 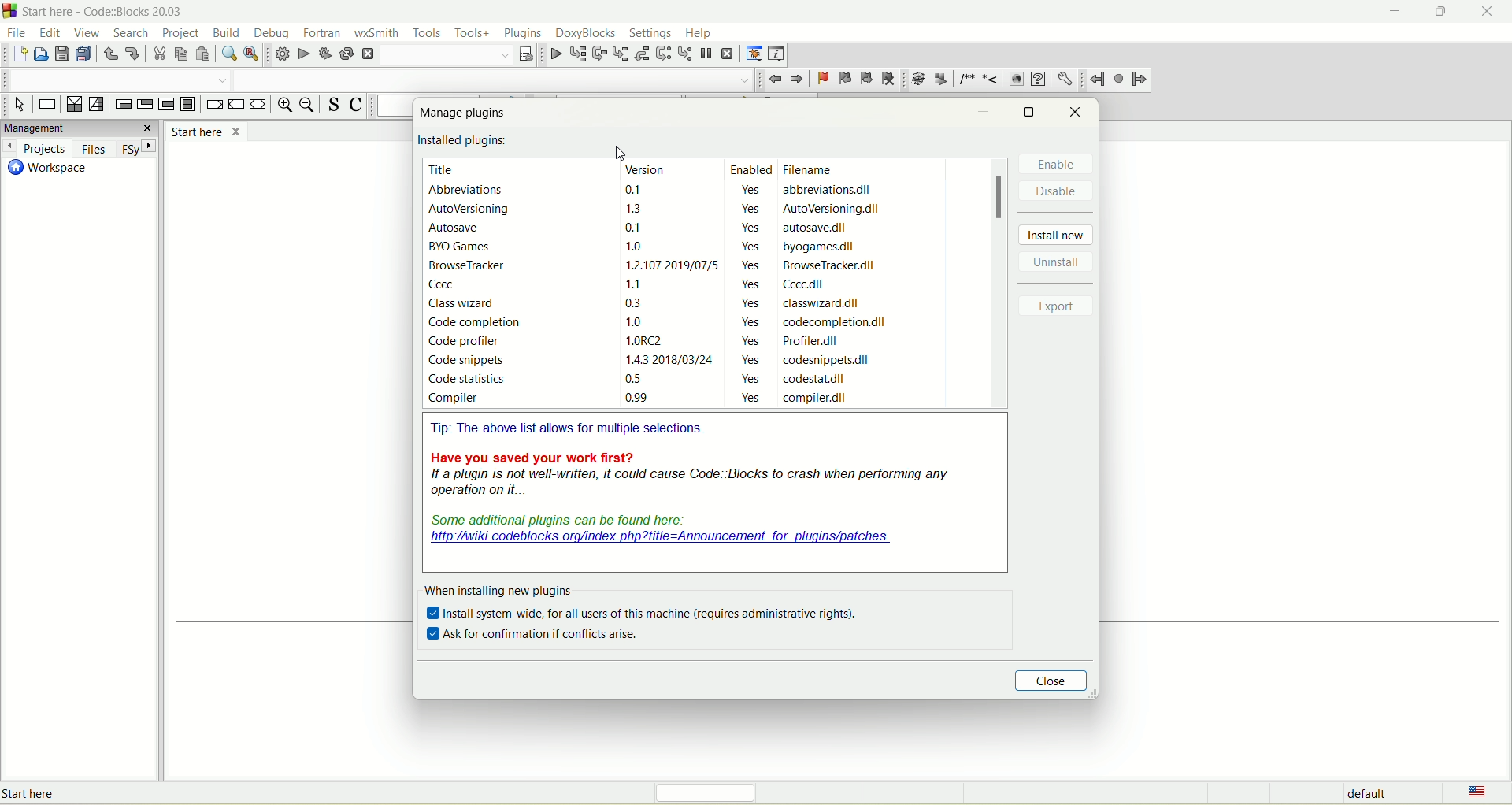 What do you see at coordinates (283, 105) in the screenshot?
I see `zoom in` at bounding box center [283, 105].